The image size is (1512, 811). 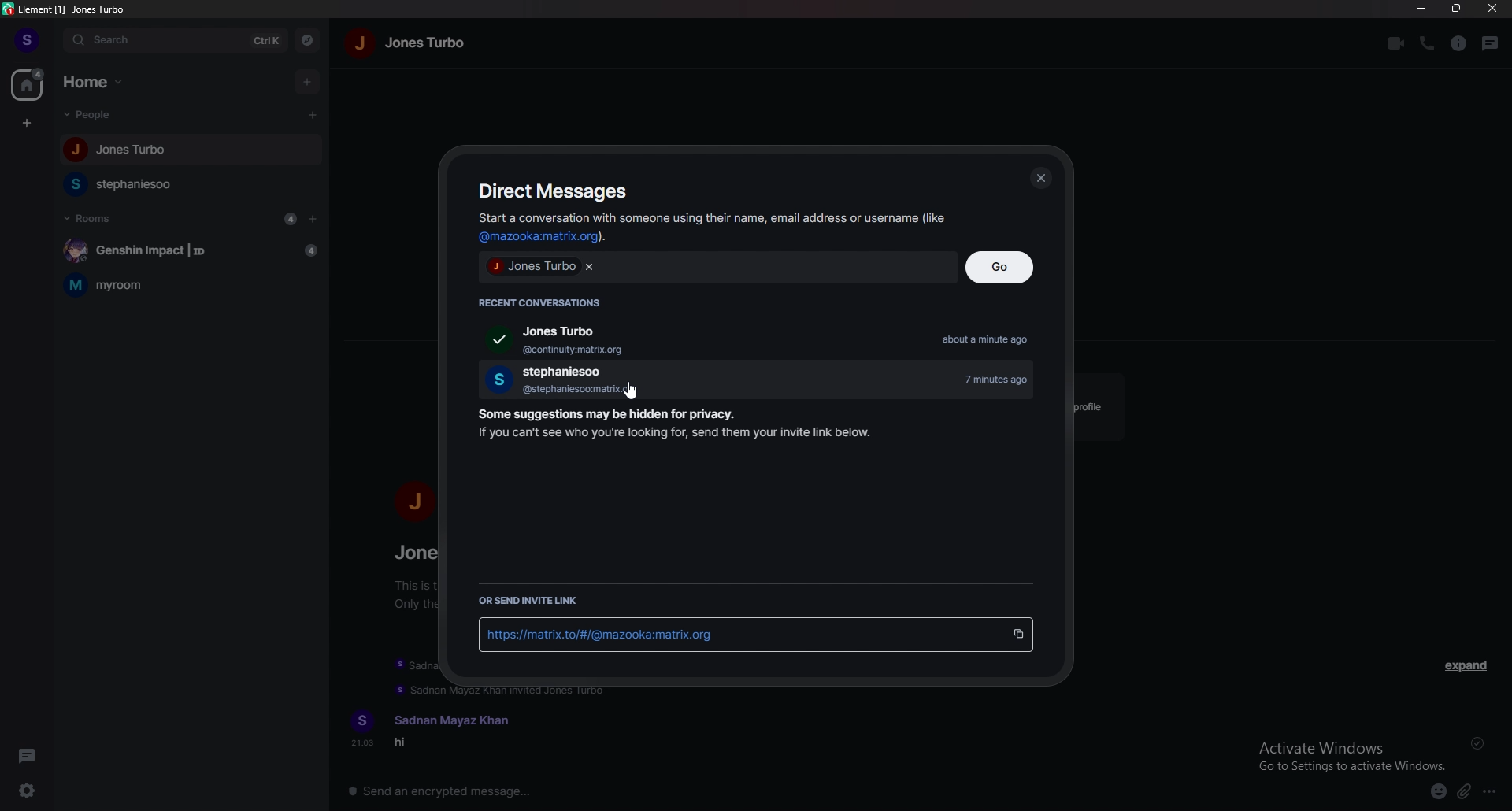 I want to click on j, so click(x=414, y=502).